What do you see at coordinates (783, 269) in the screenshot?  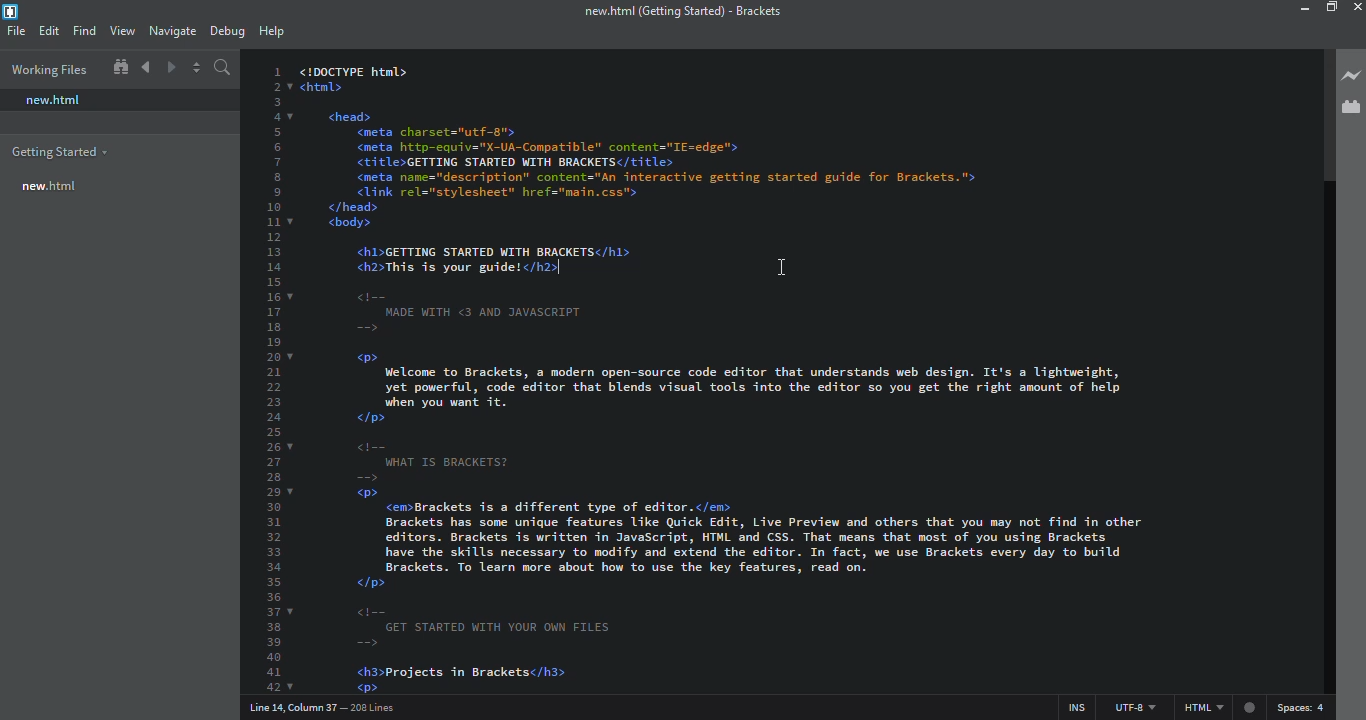 I see `cursor` at bounding box center [783, 269].